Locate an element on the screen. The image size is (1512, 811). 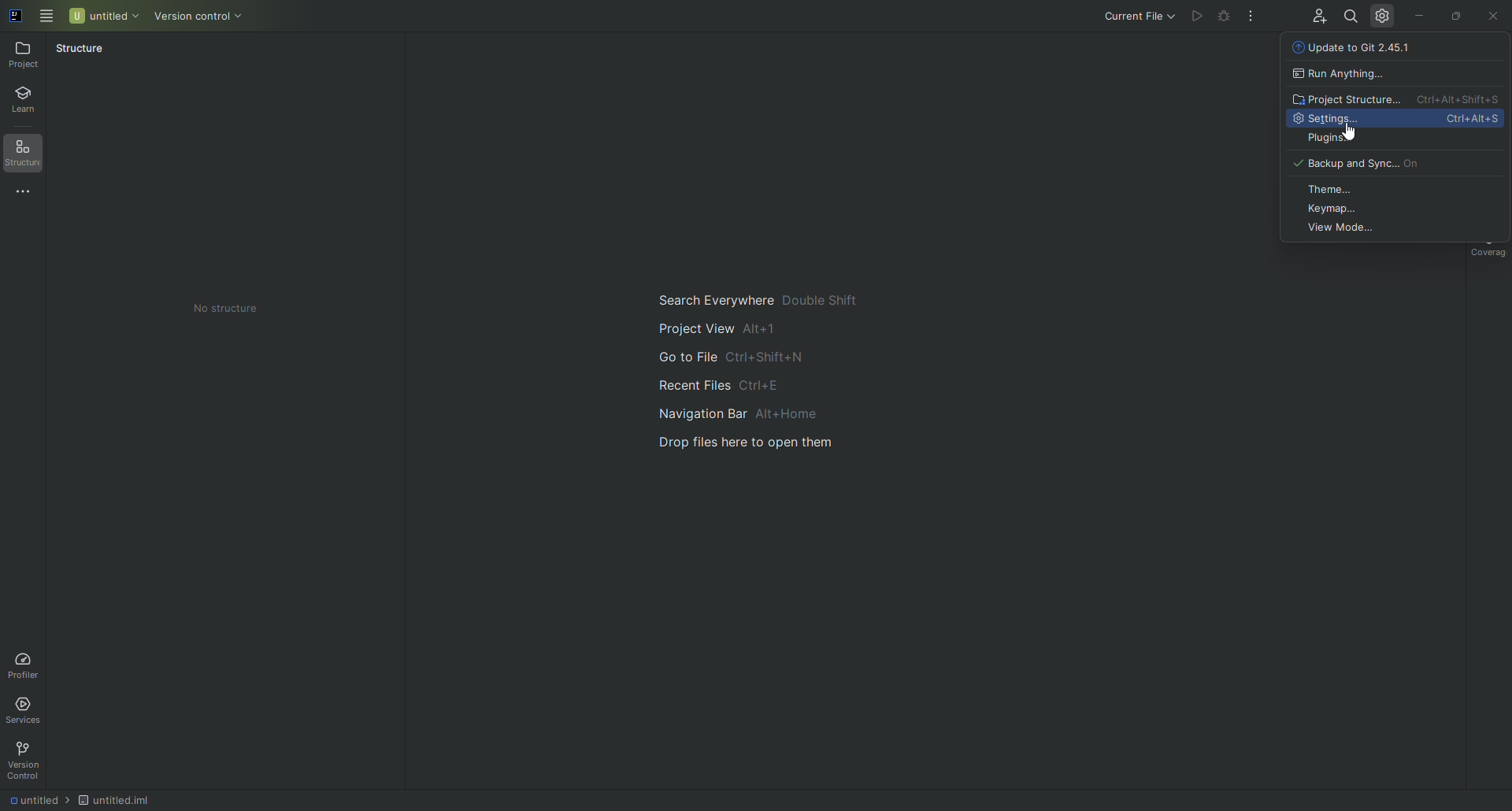
Learn is located at coordinates (29, 102).